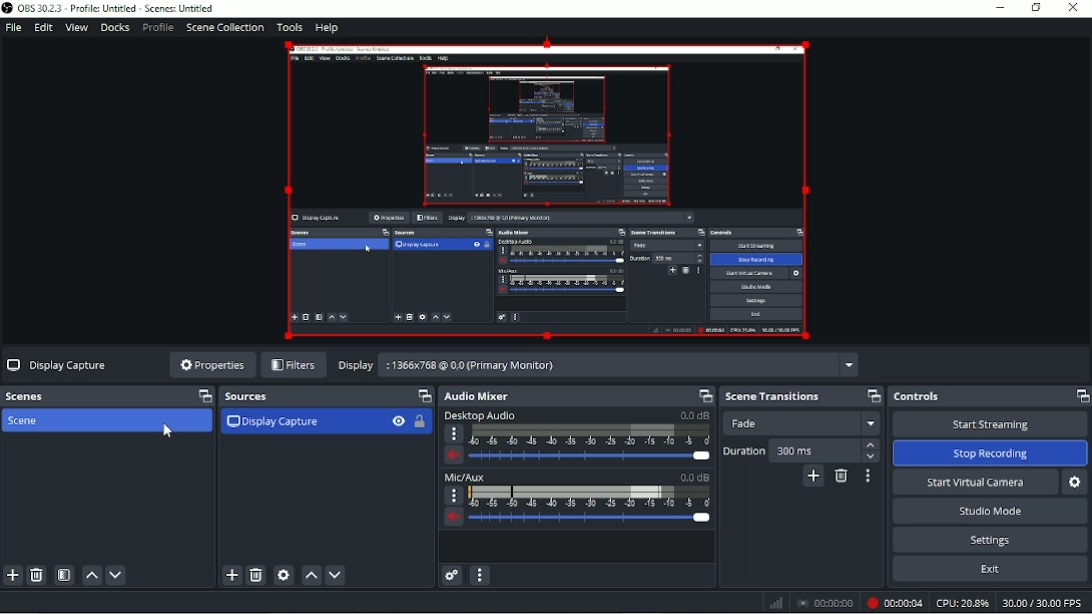 Image resolution: width=1092 pixels, height=614 pixels. What do you see at coordinates (694, 415) in the screenshot?
I see `0.0 dB` at bounding box center [694, 415].